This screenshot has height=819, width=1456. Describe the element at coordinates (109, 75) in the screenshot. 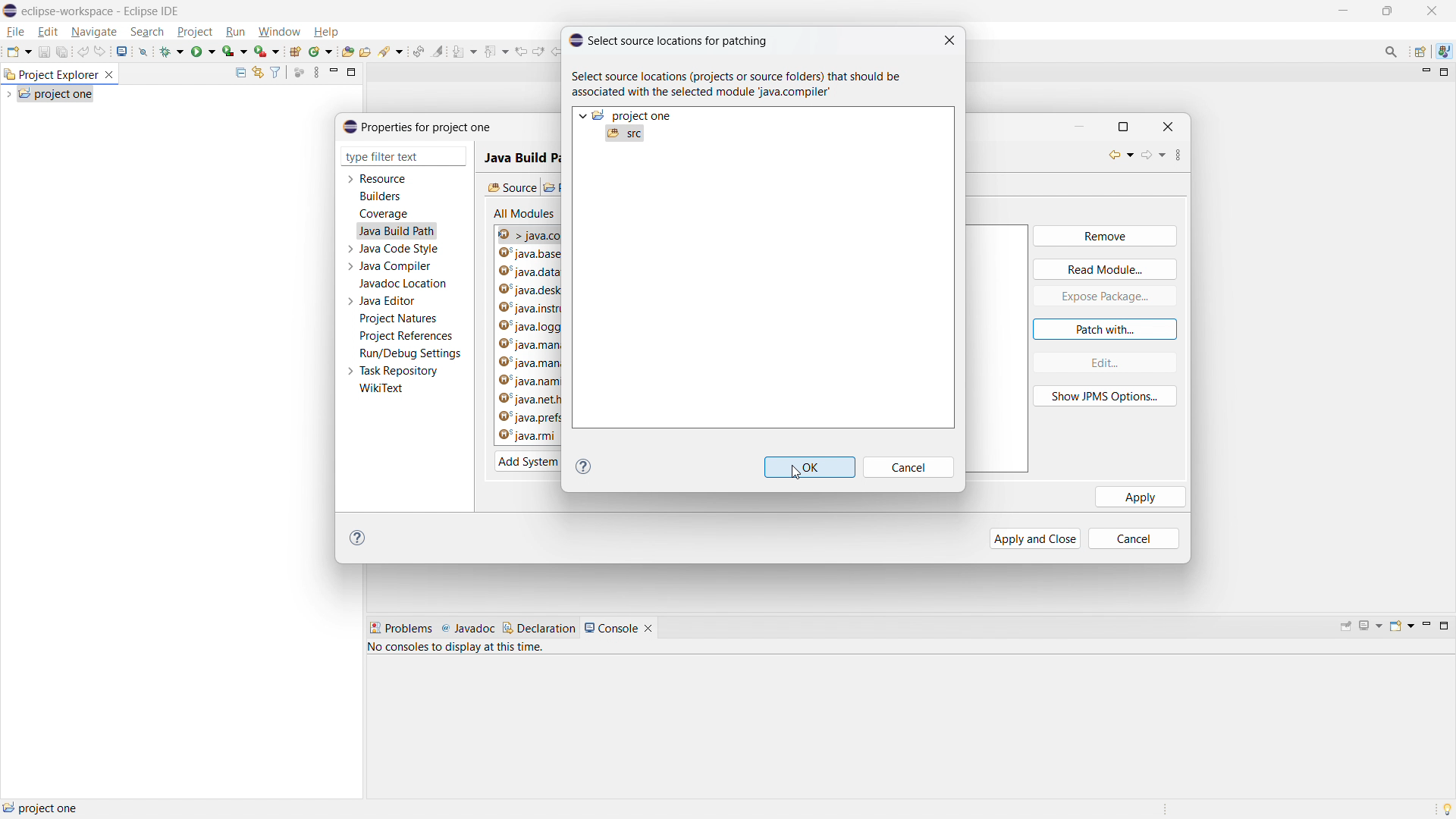

I see `close project explorer` at that location.